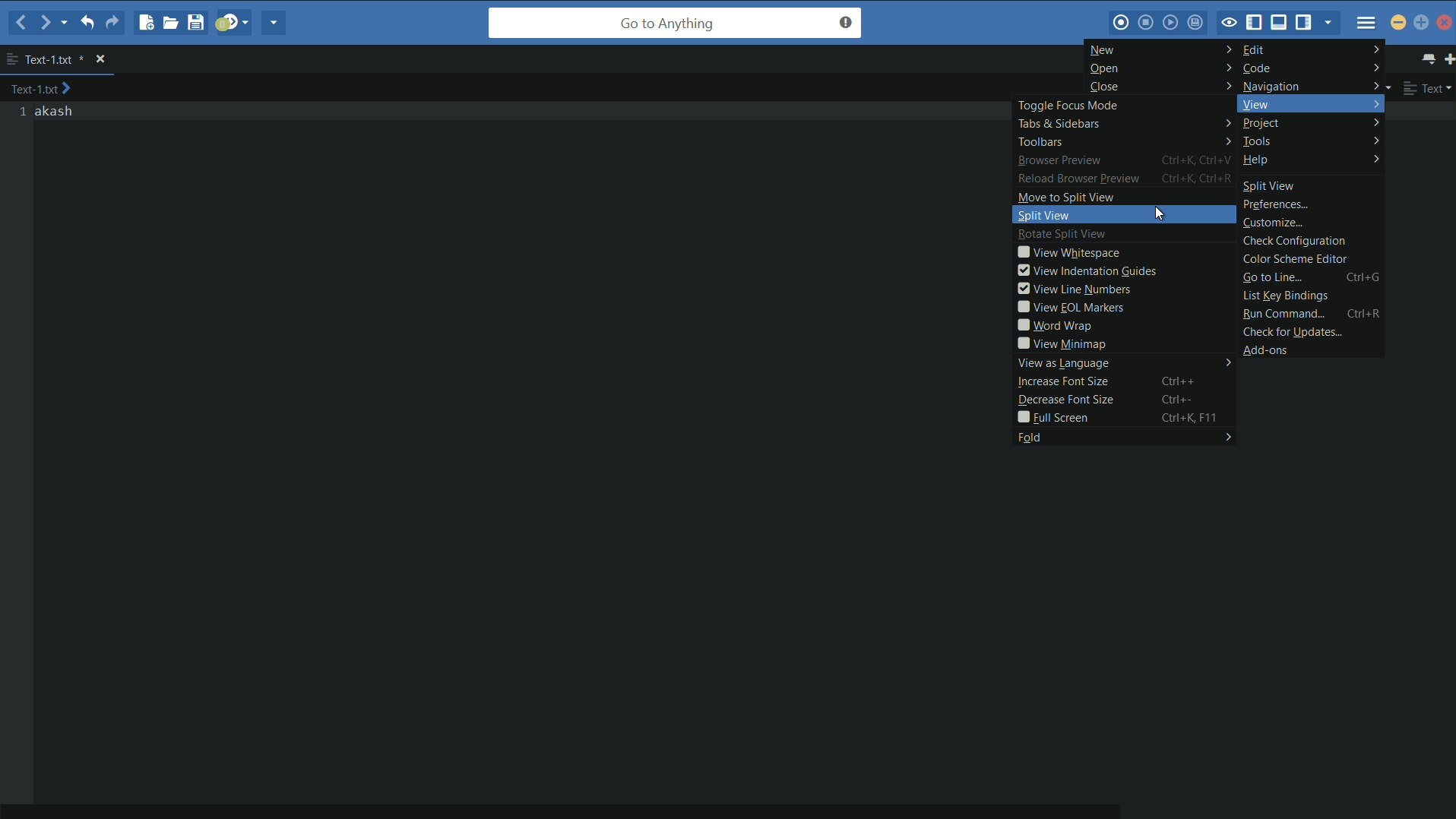 Image resolution: width=1456 pixels, height=819 pixels. What do you see at coordinates (1311, 296) in the screenshot?
I see `list key bindings` at bounding box center [1311, 296].